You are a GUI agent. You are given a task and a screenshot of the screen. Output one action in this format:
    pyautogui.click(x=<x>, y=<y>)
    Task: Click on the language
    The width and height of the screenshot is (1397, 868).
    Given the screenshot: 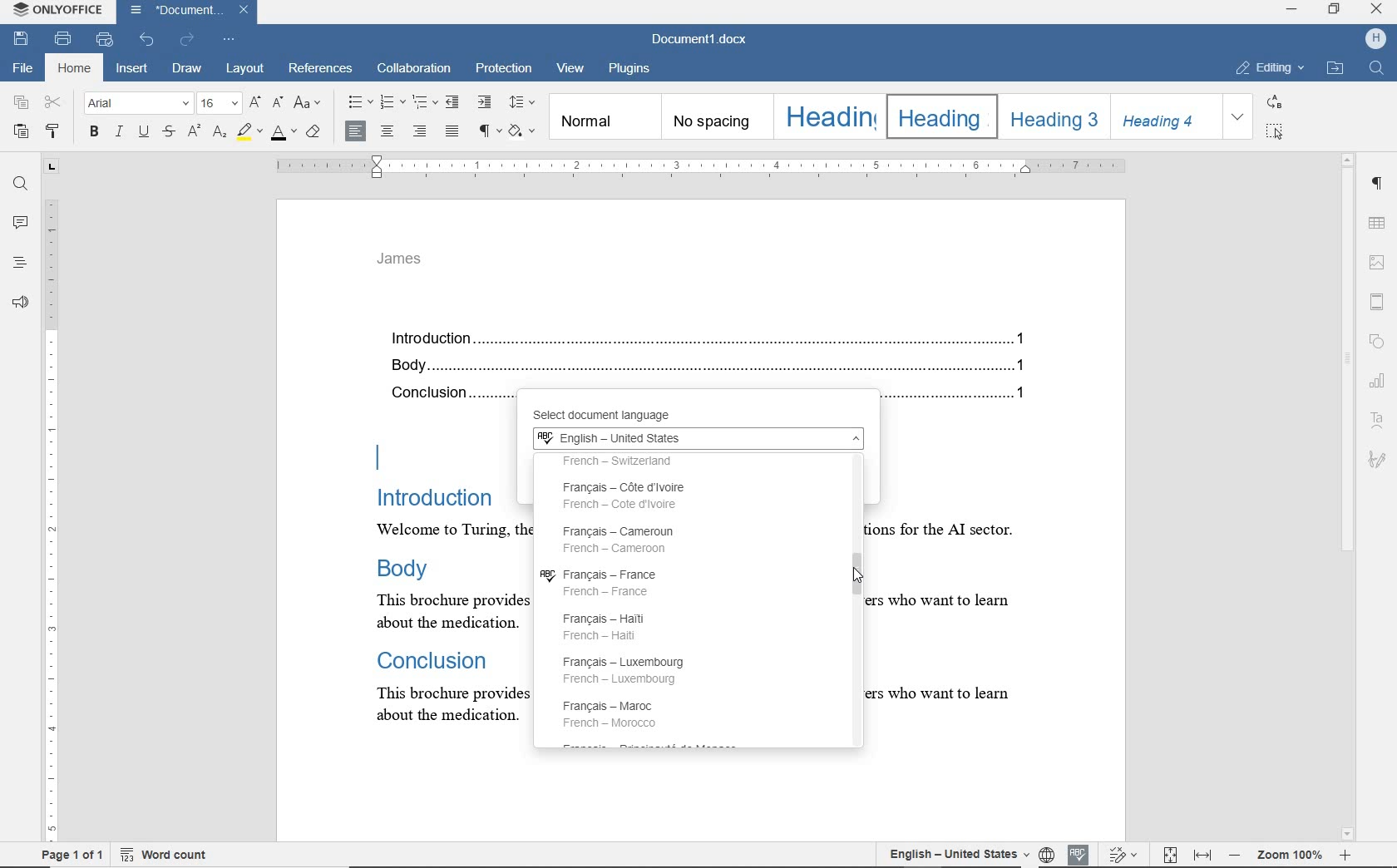 What is the action you would take?
    pyautogui.click(x=1046, y=854)
    